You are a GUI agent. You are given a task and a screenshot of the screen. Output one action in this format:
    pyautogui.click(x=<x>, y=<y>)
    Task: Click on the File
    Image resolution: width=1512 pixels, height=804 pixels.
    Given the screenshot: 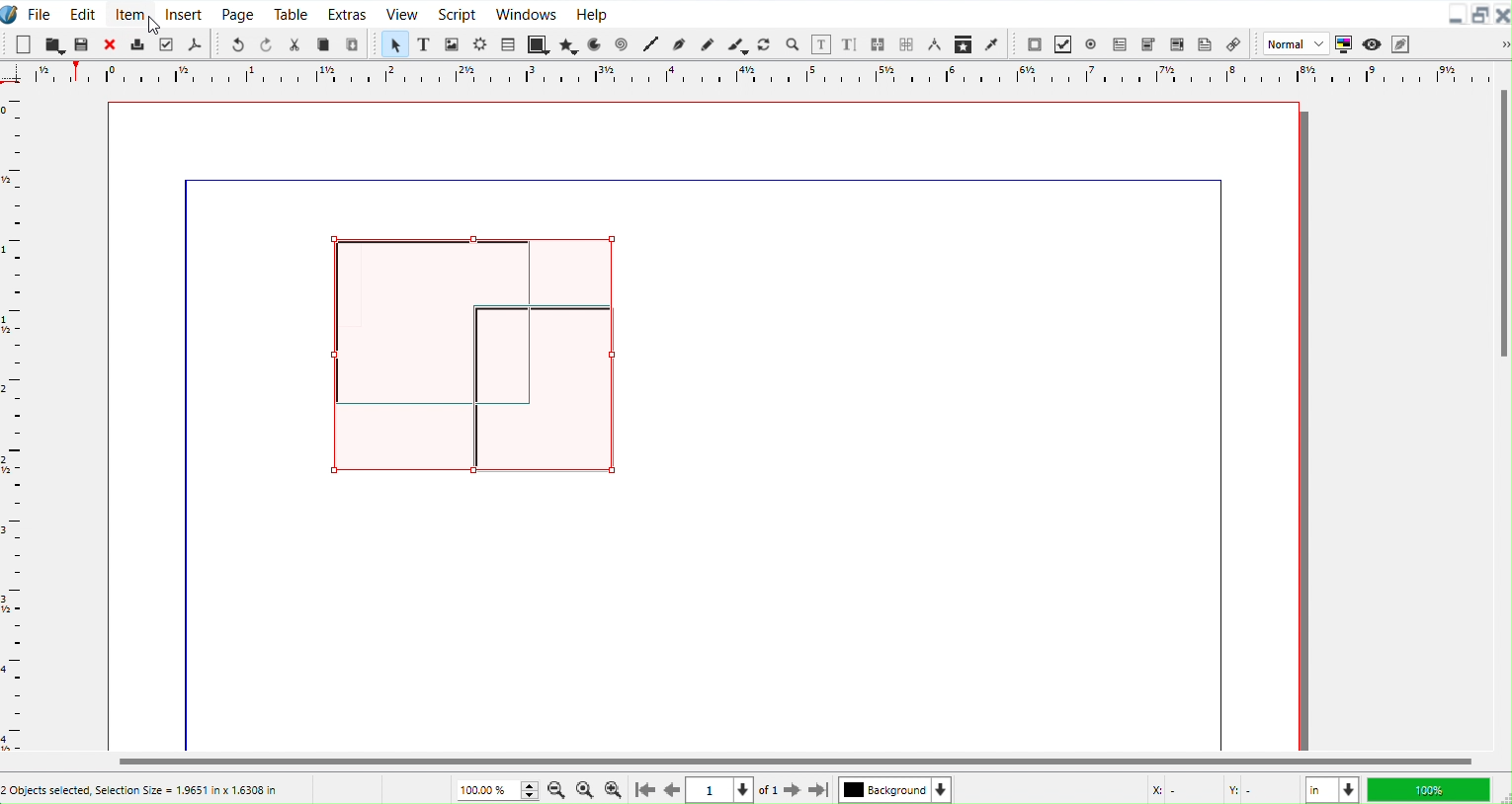 What is the action you would take?
    pyautogui.click(x=41, y=13)
    